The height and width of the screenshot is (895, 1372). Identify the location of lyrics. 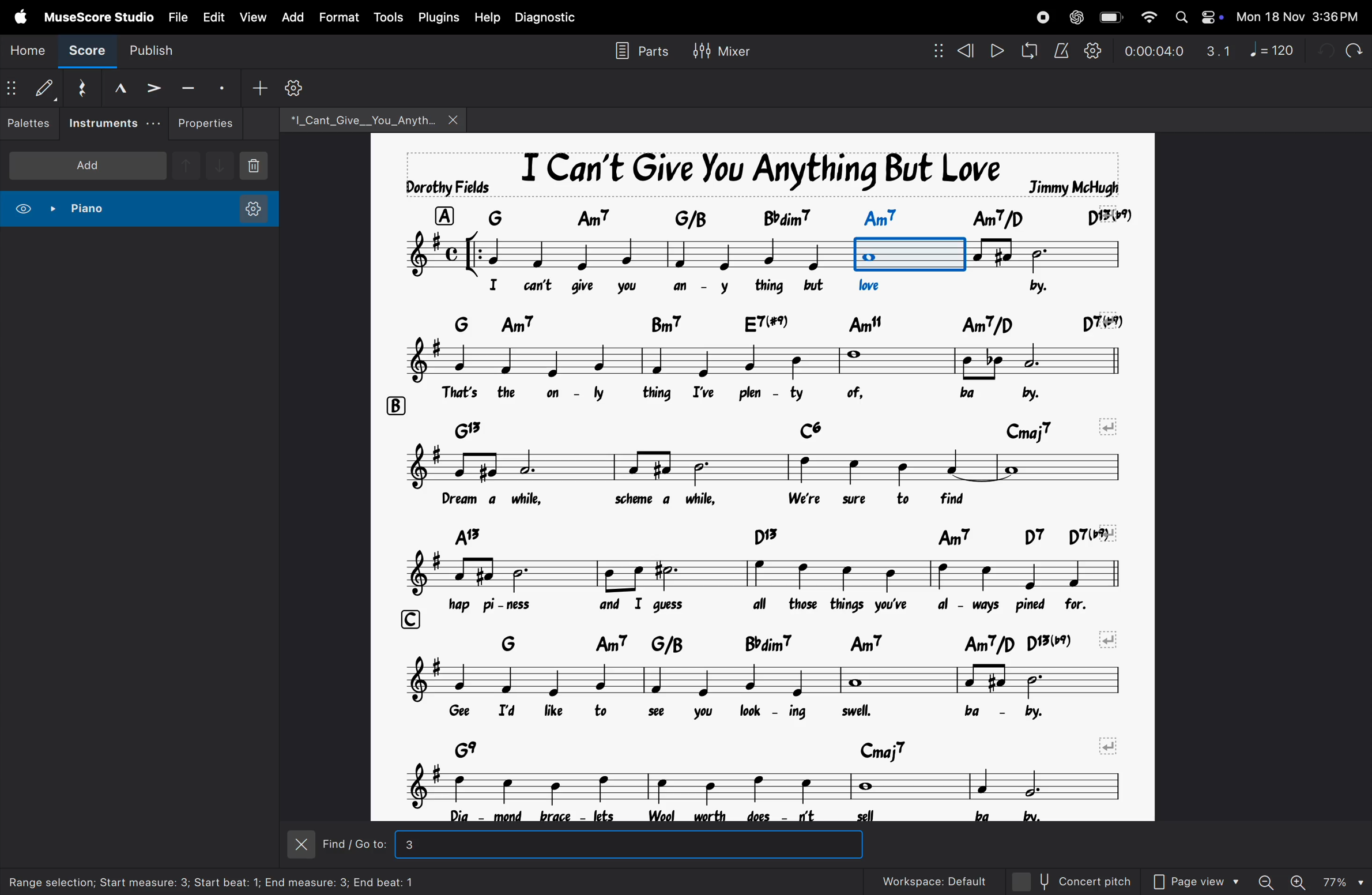
(789, 818).